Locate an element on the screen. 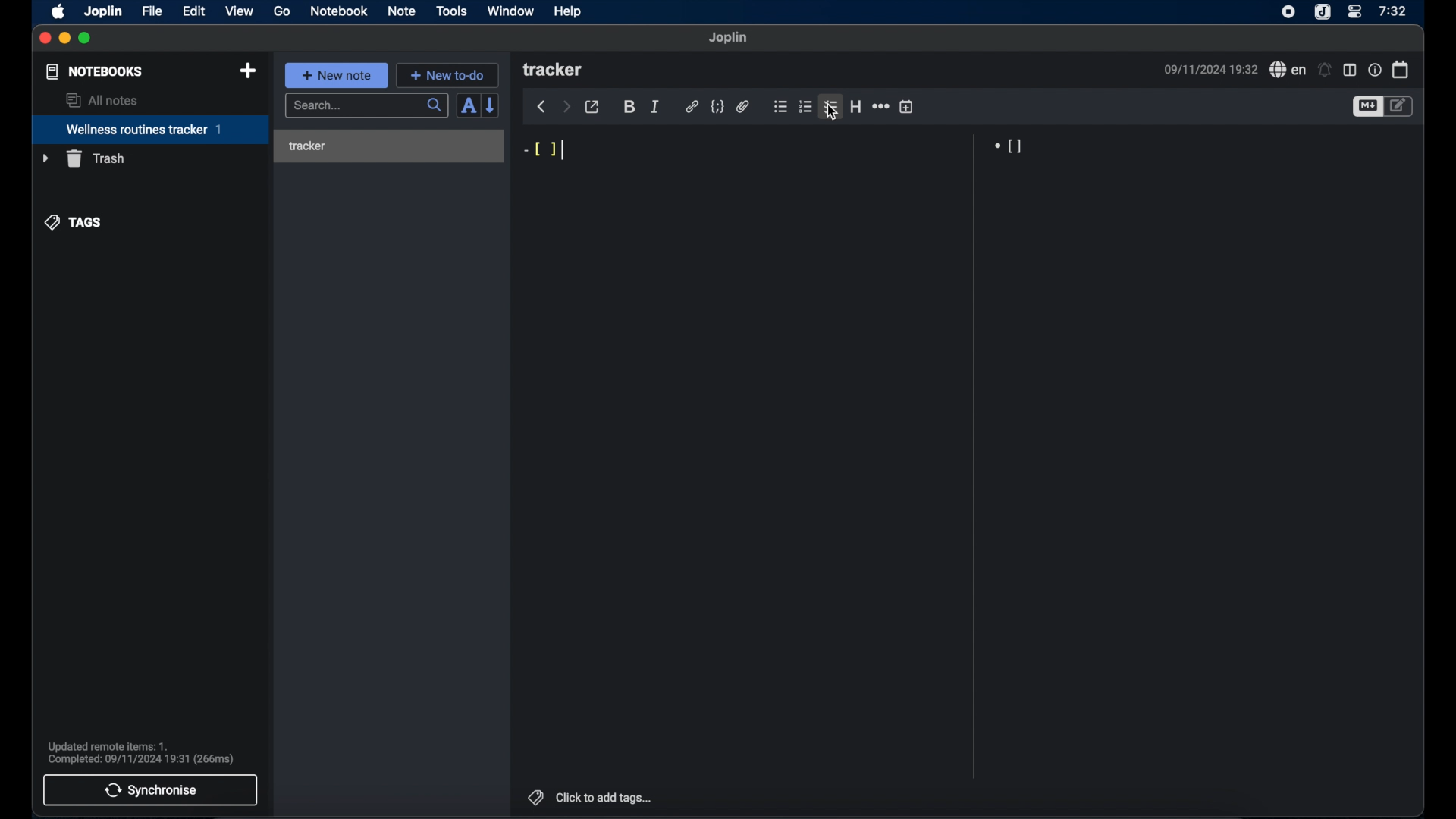 This screenshot has height=819, width=1456. attach file is located at coordinates (743, 108).